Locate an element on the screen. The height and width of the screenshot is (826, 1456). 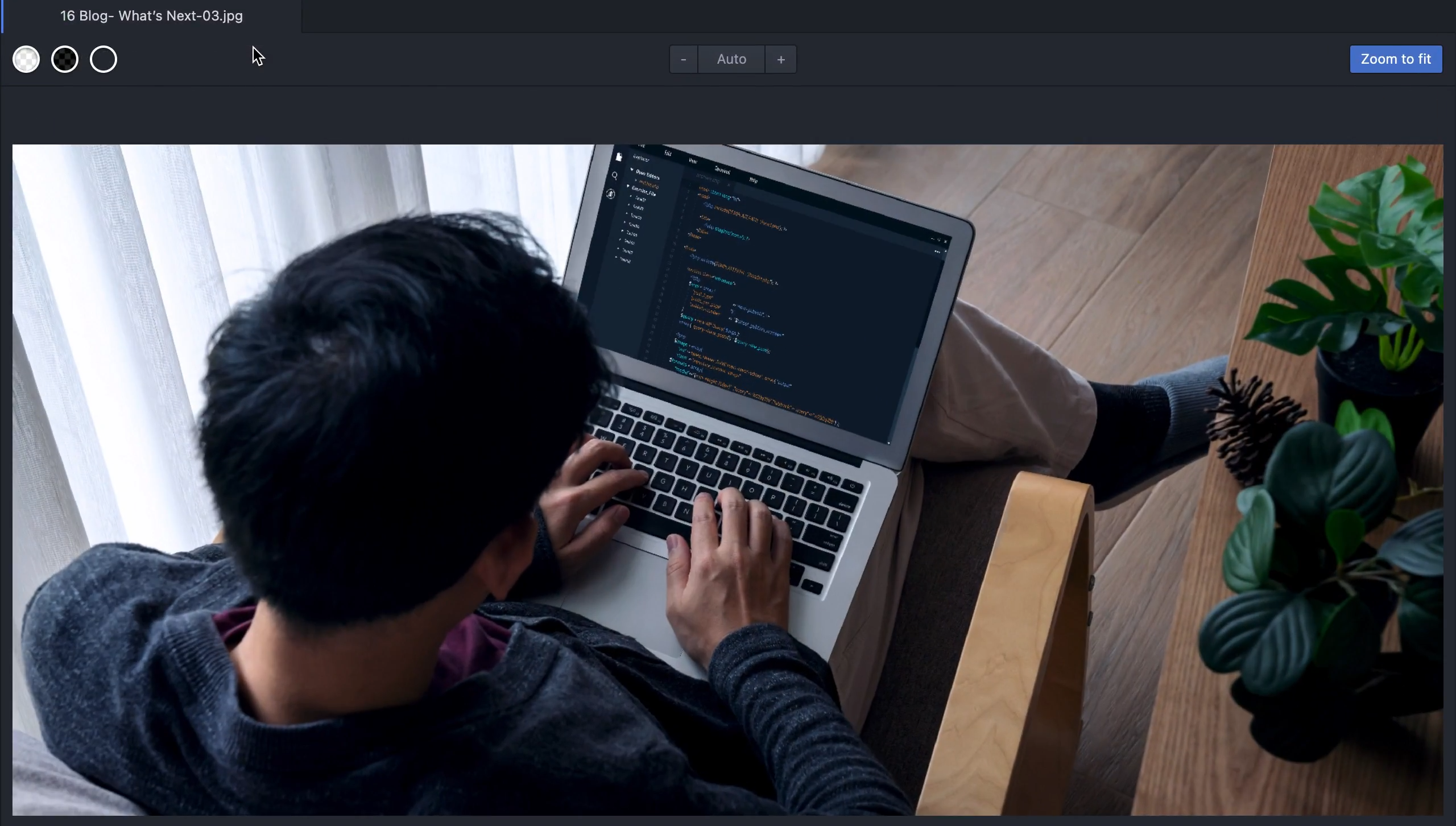
use white transparent background is located at coordinates (26, 66).